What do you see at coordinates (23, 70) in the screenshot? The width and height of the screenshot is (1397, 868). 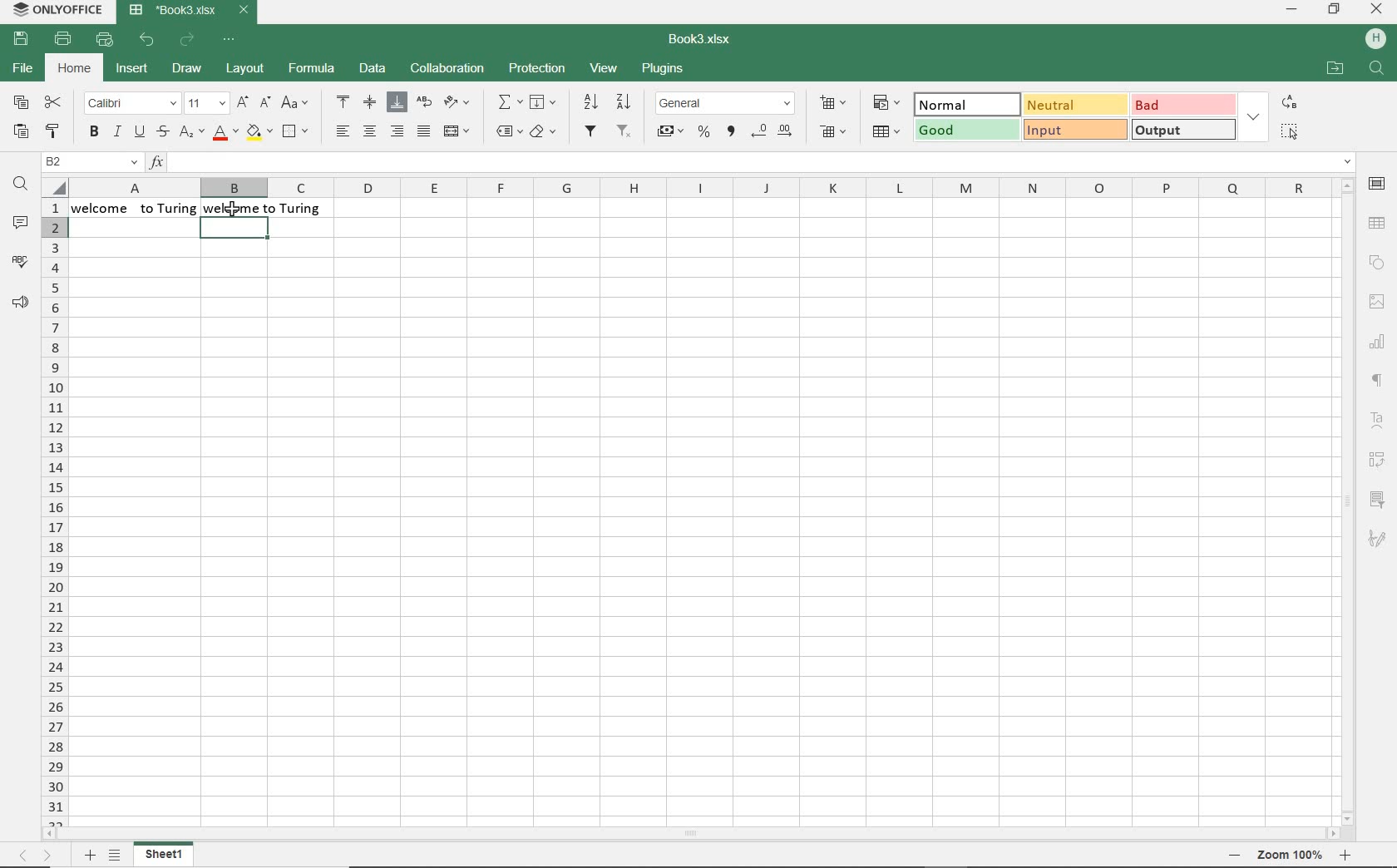 I see `file` at bounding box center [23, 70].